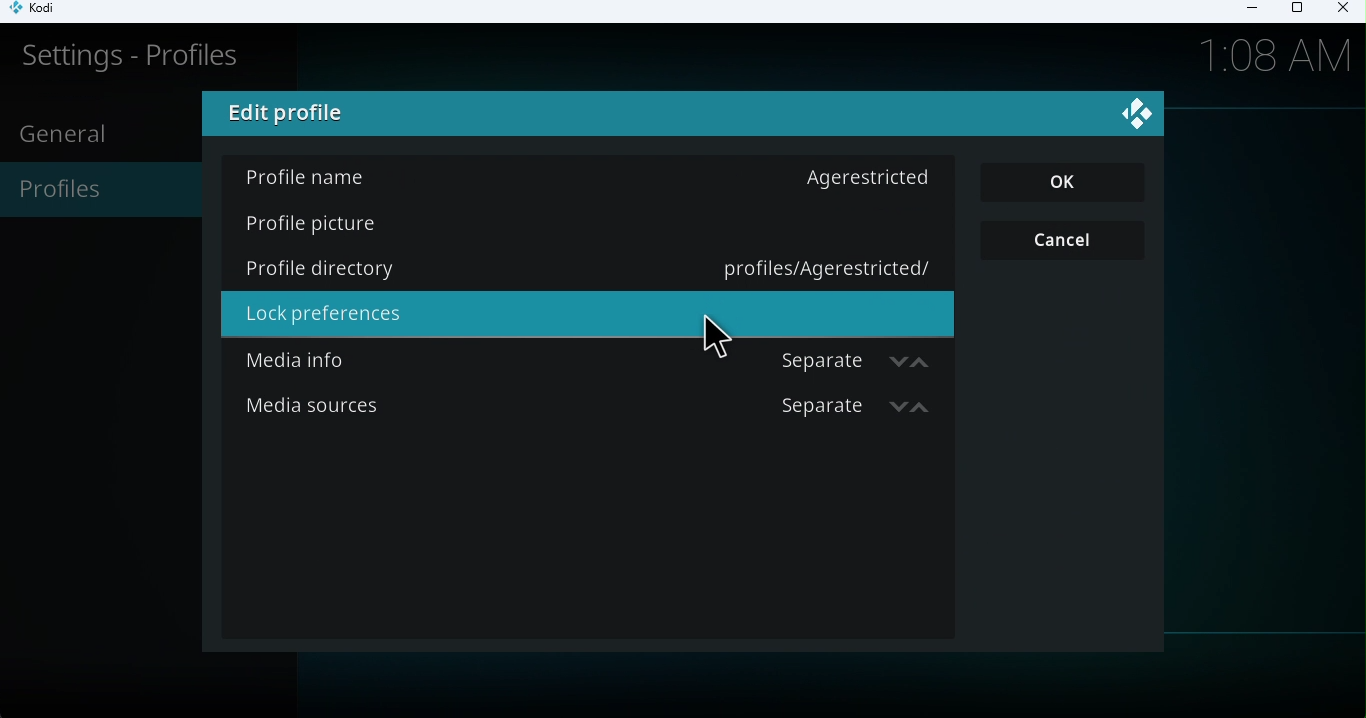 The image size is (1366, 718). I want to click on Minimize, so click(1245, 11).